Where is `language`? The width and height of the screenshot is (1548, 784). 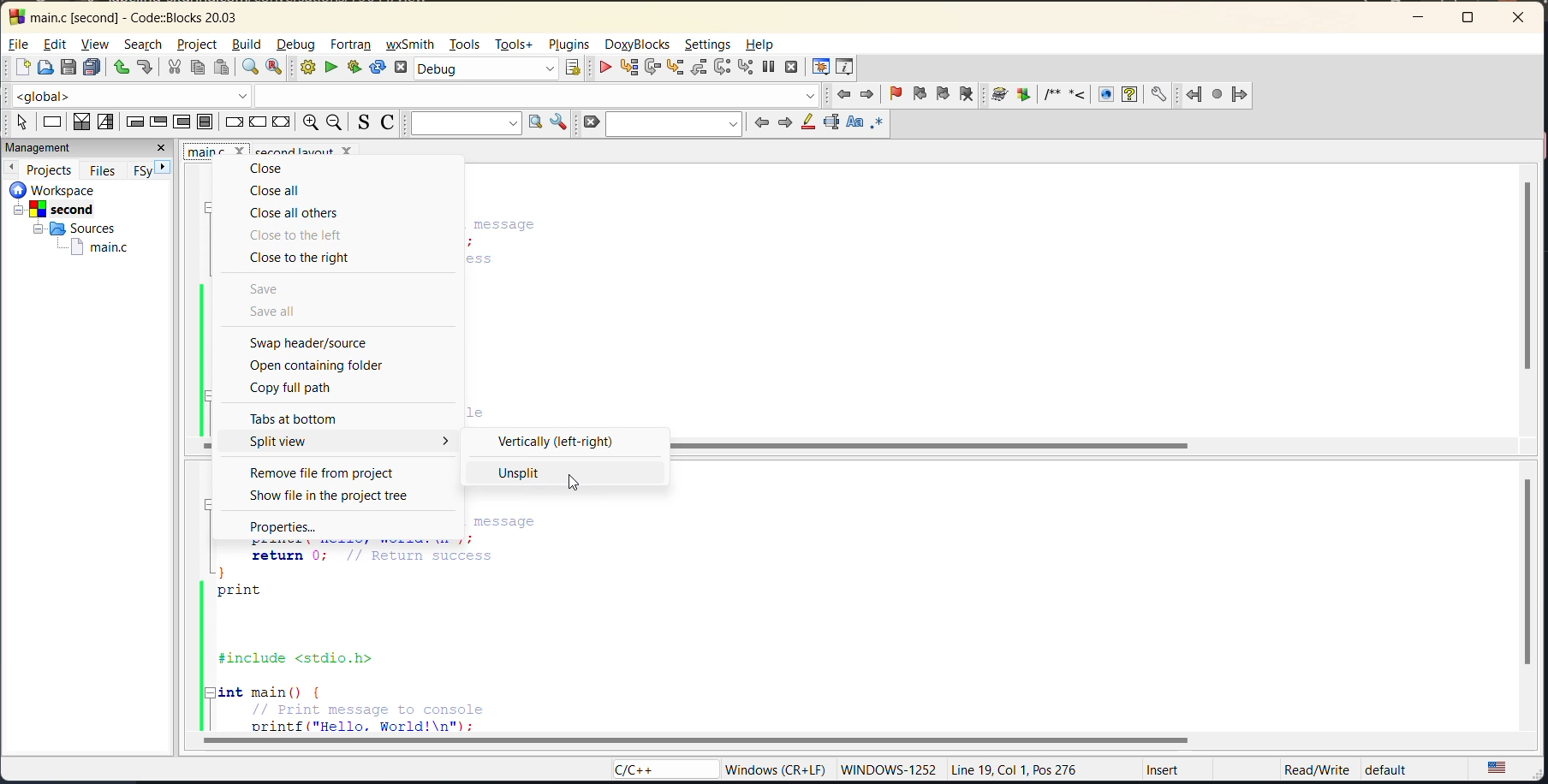
language is located at coordinates (662, 768).